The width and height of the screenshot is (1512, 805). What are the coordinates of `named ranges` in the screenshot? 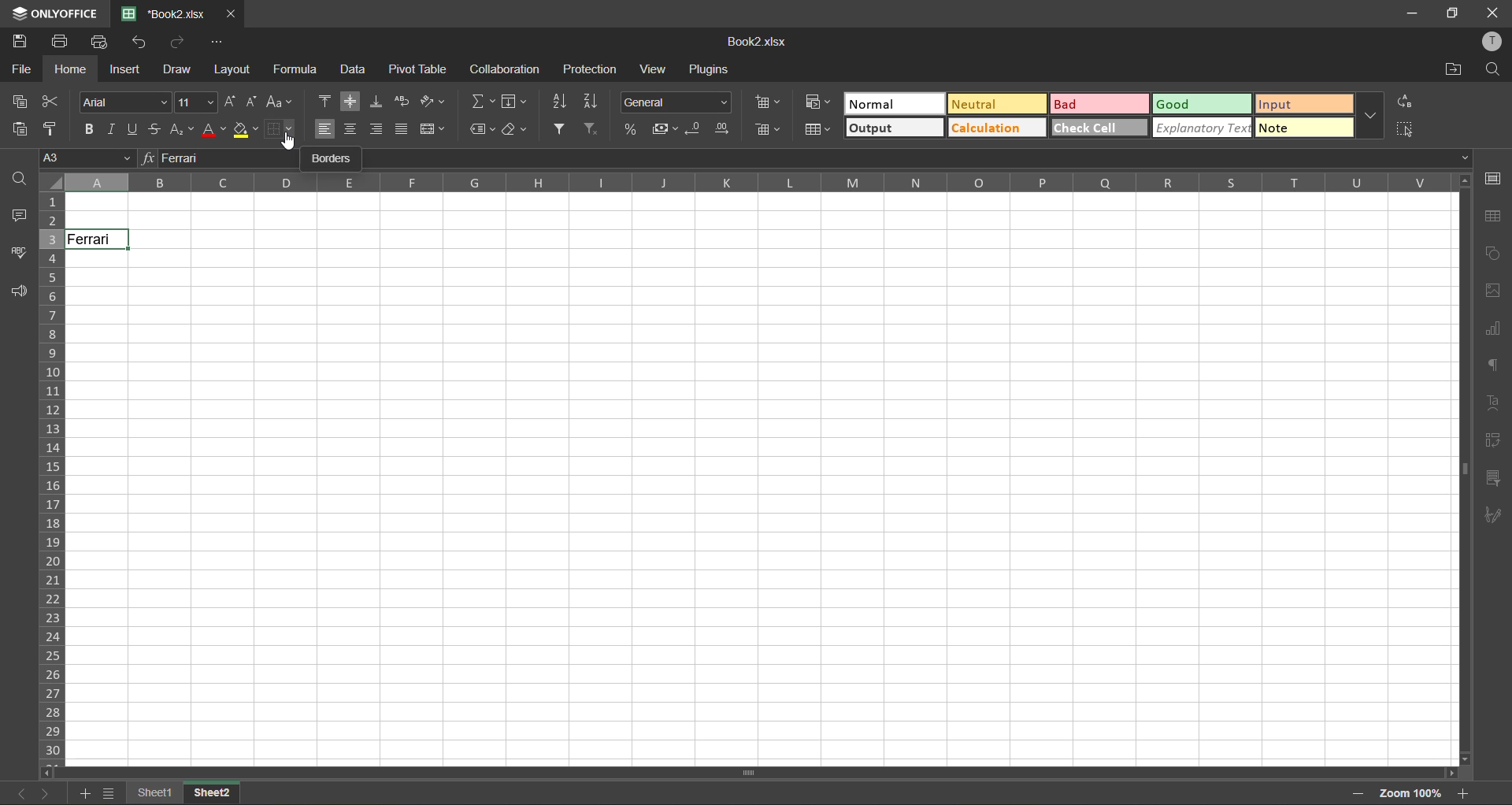 It's located at (483, 130).